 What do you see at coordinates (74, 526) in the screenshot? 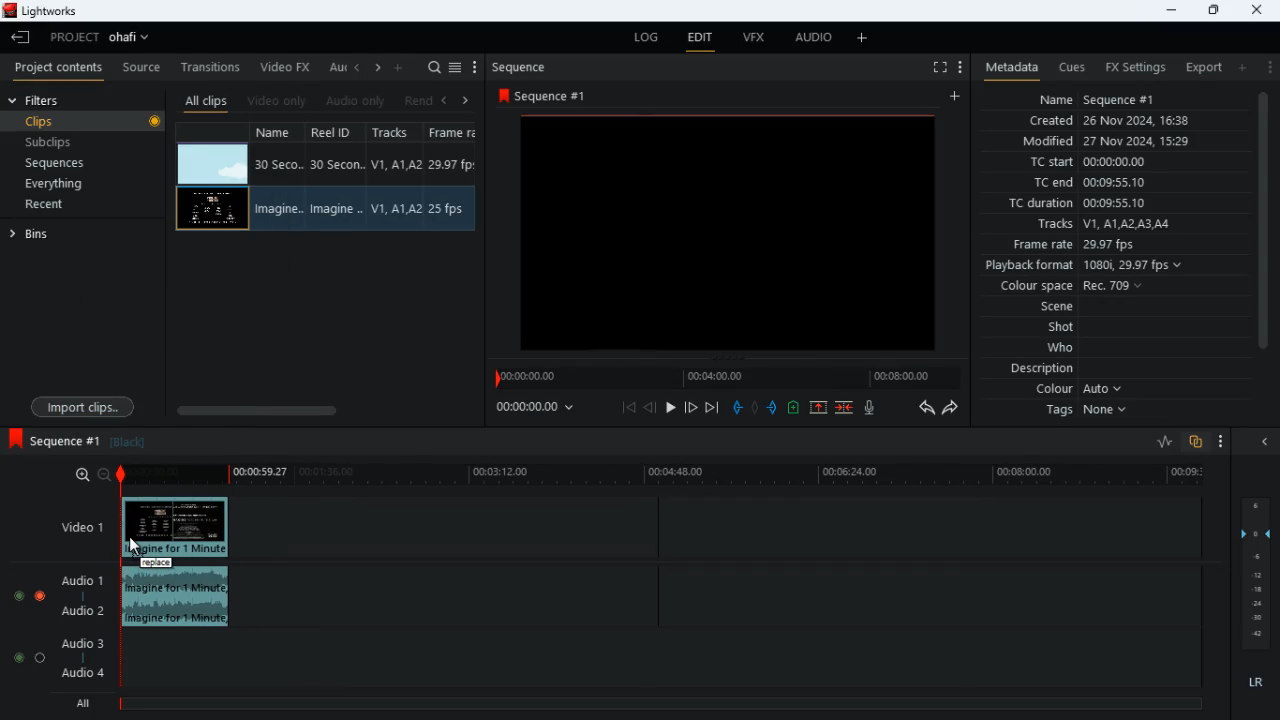
I see `video 1` at bounding box center [74, 526].